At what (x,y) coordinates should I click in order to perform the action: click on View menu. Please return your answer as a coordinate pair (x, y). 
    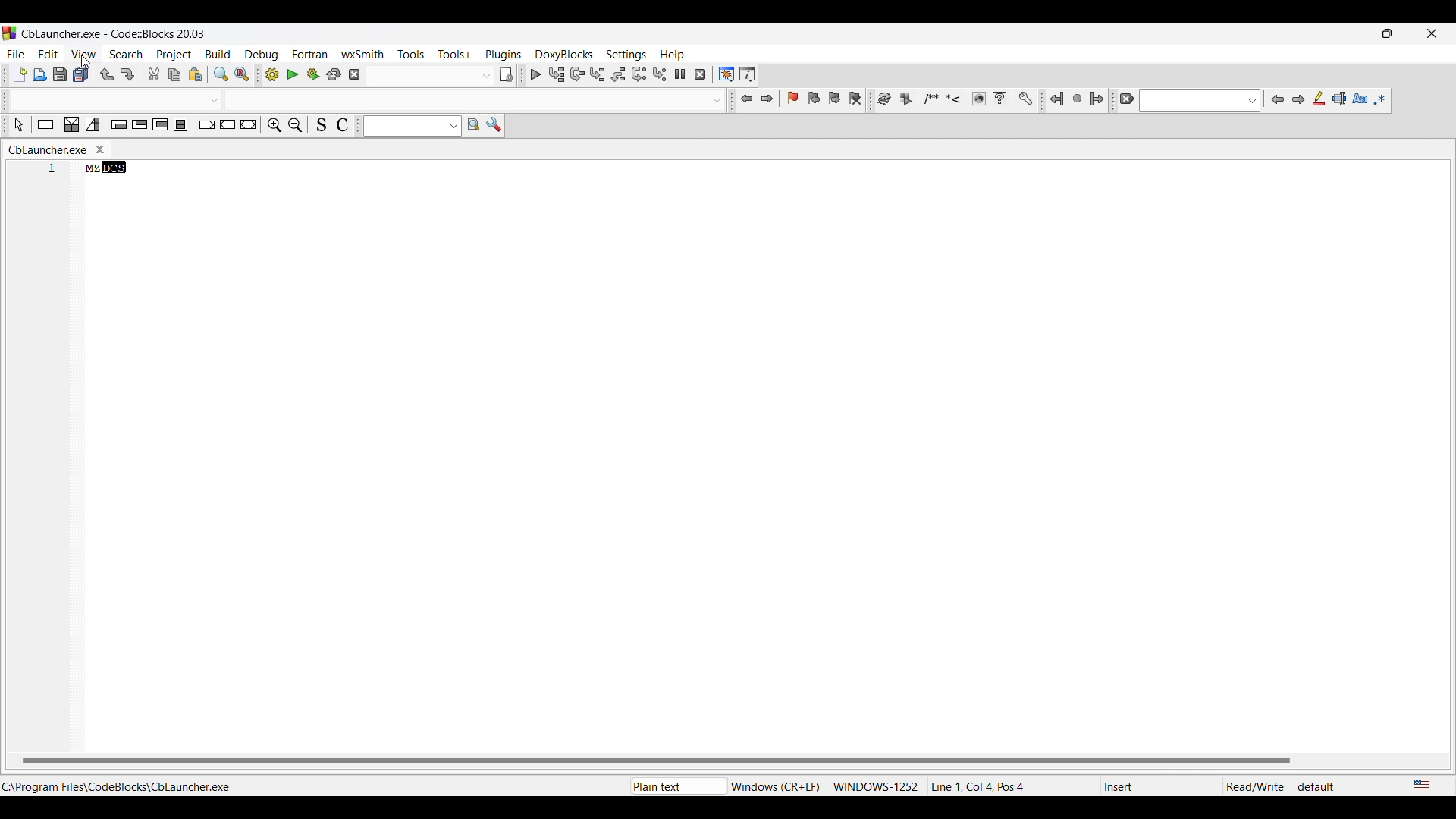
    Looking at the image, I should click on (84, 54).